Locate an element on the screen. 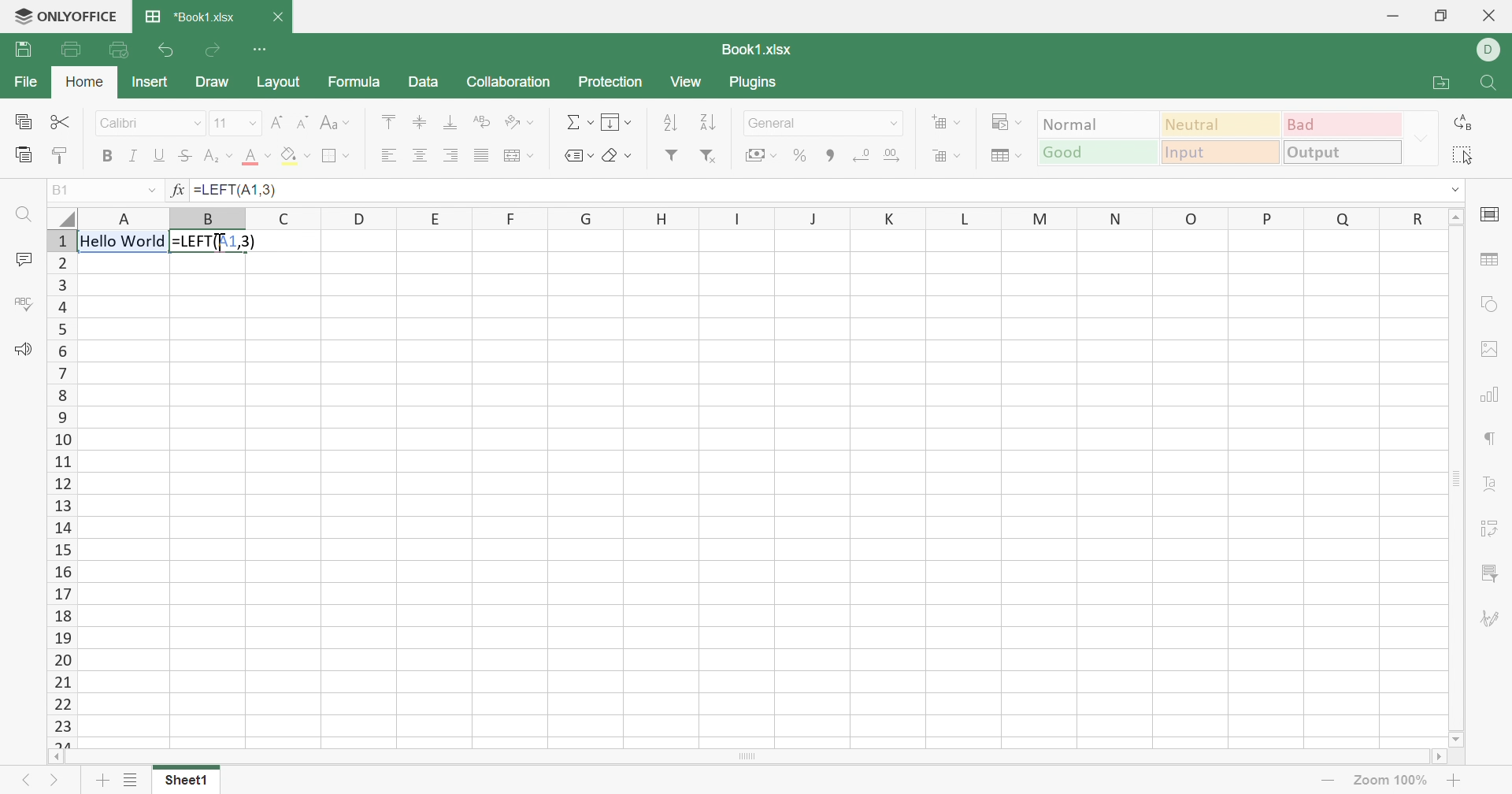 The image size is (1512, 794). Scroll left is located at coordinates (54, 757).